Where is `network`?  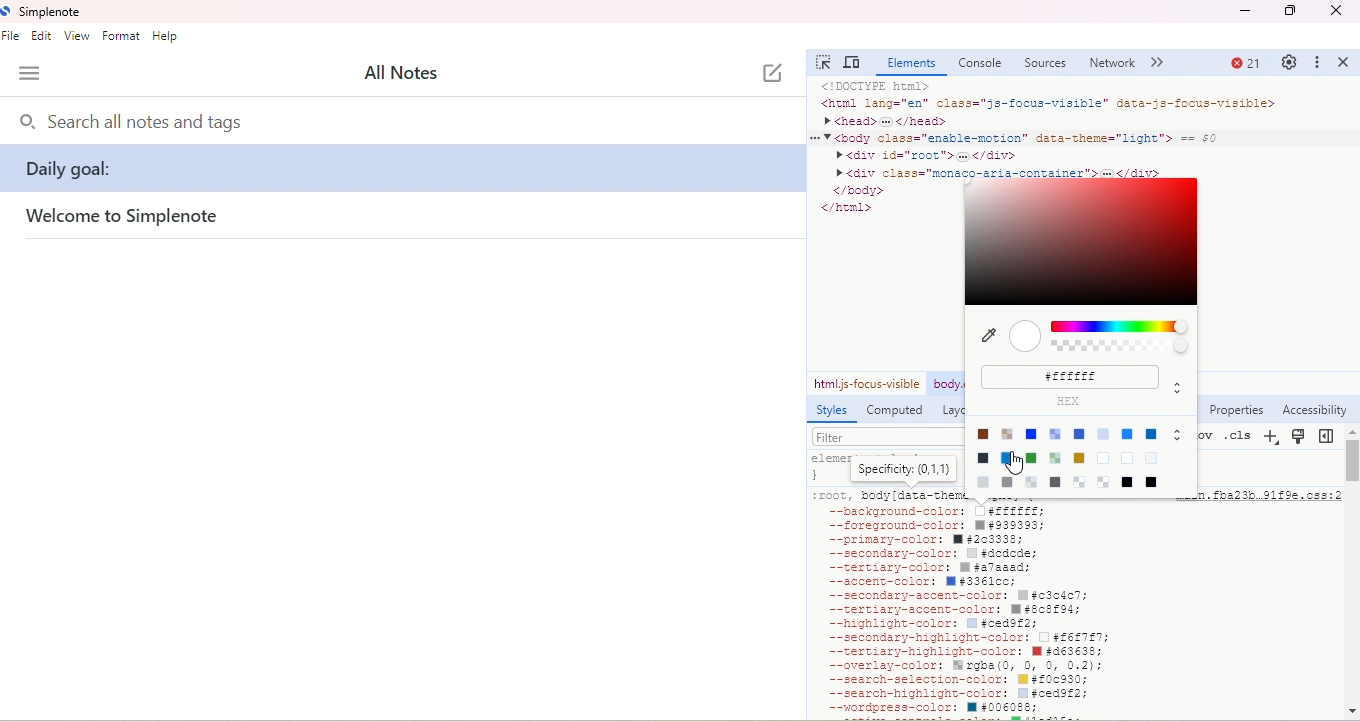
network is located at coordinates (1113, 63).